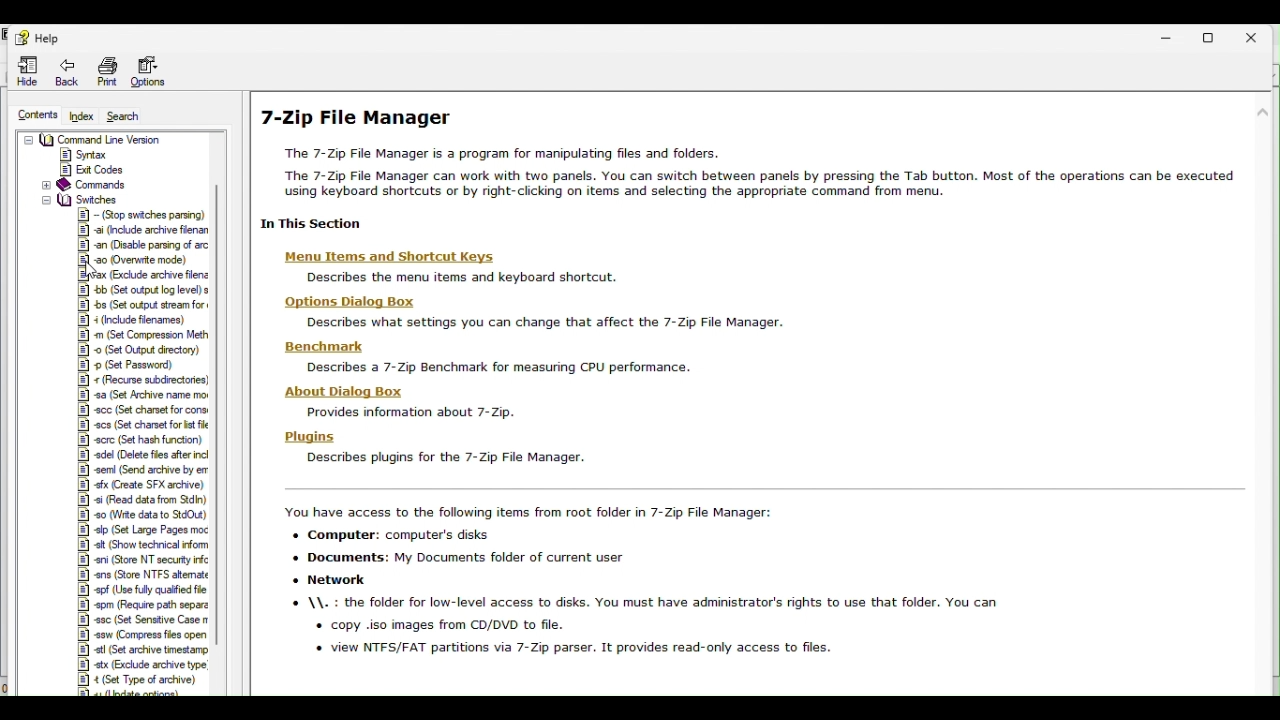 Image resolution: width=1280 pixels, height=720 pixels. Describe the element at coordinates (144, 455) in the screenshot. I see `|&] edel (Delete fies after ind` at that location.